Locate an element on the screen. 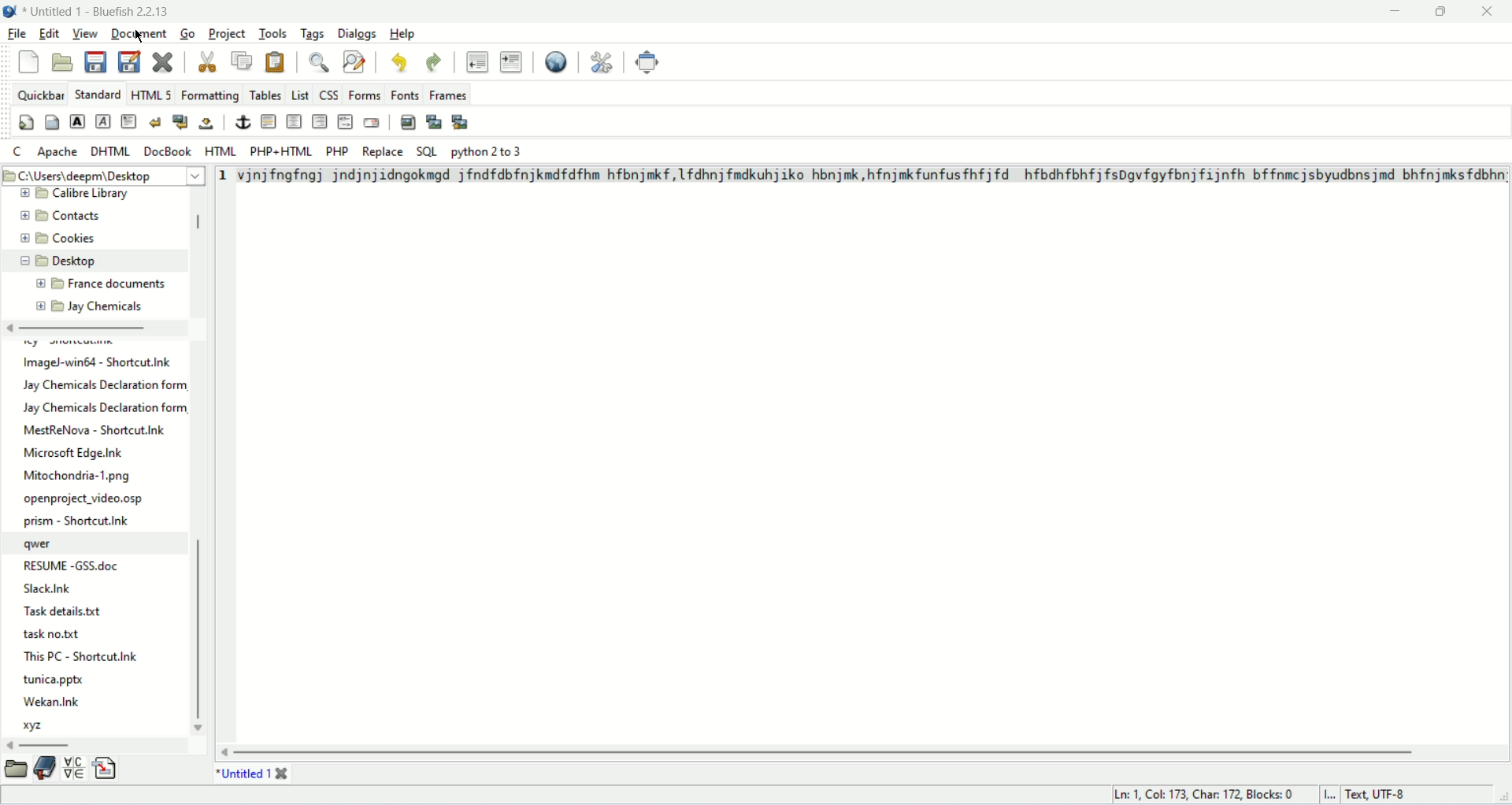 The height and width of the screenshot is (805, 1512). prism - Shortcut.Ink is located at coordinates (78, 521).